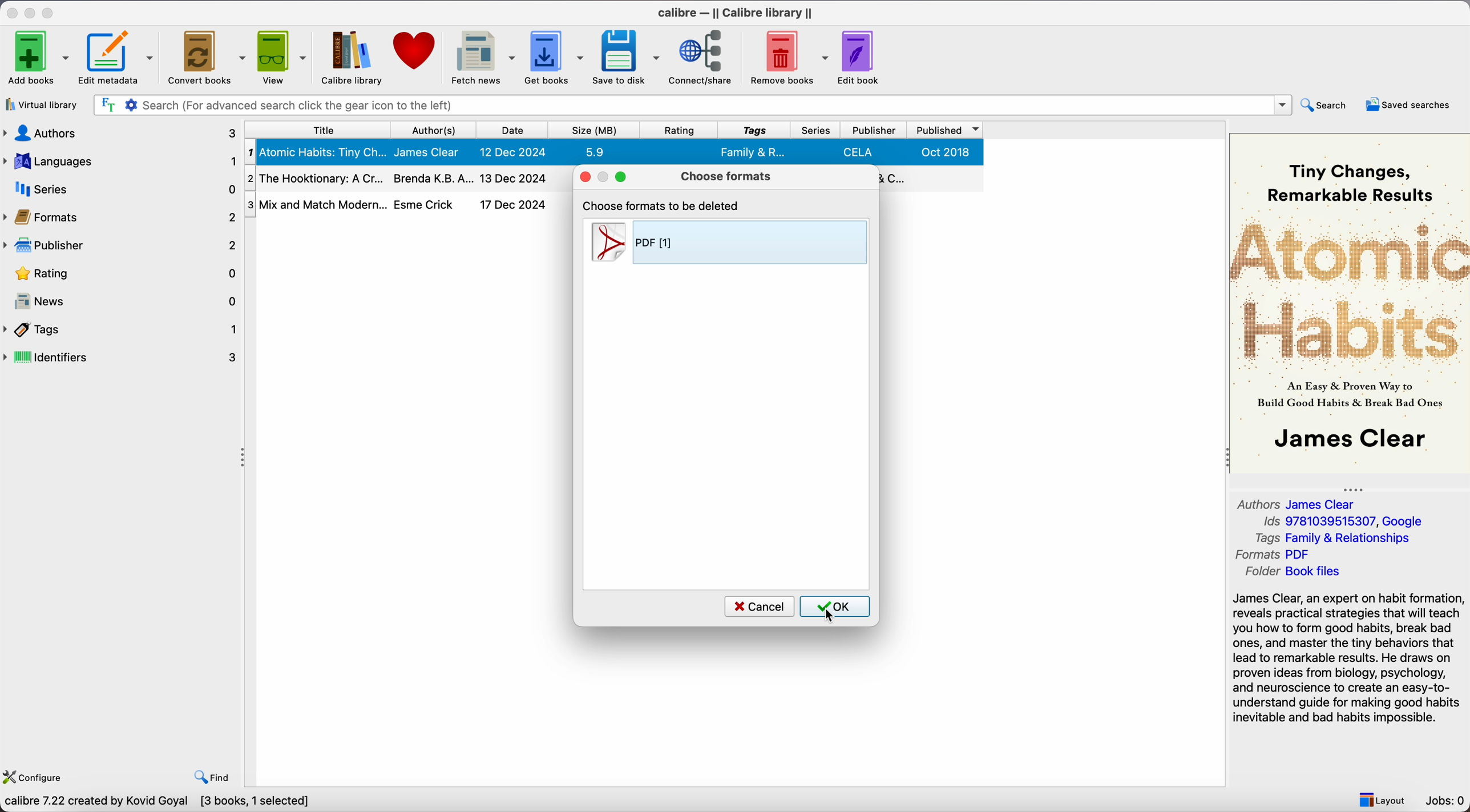 This screenshot has width=1470, height=812. What do you see at coordinates (1324, 104) in the screenshot?
I see `search` at bounding box center [1324, 104].